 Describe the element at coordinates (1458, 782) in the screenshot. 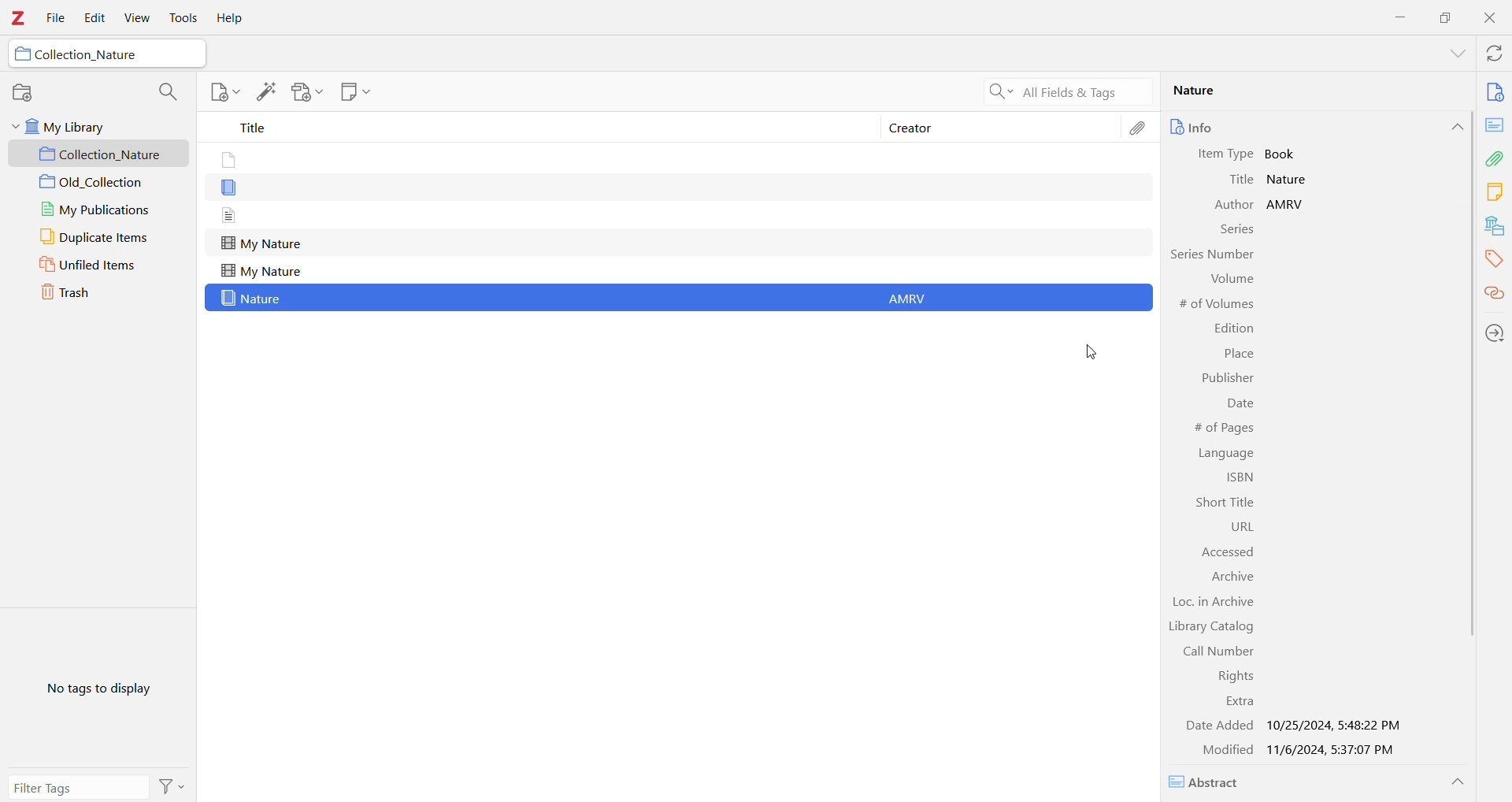

I see `Collapse Section` at that location.